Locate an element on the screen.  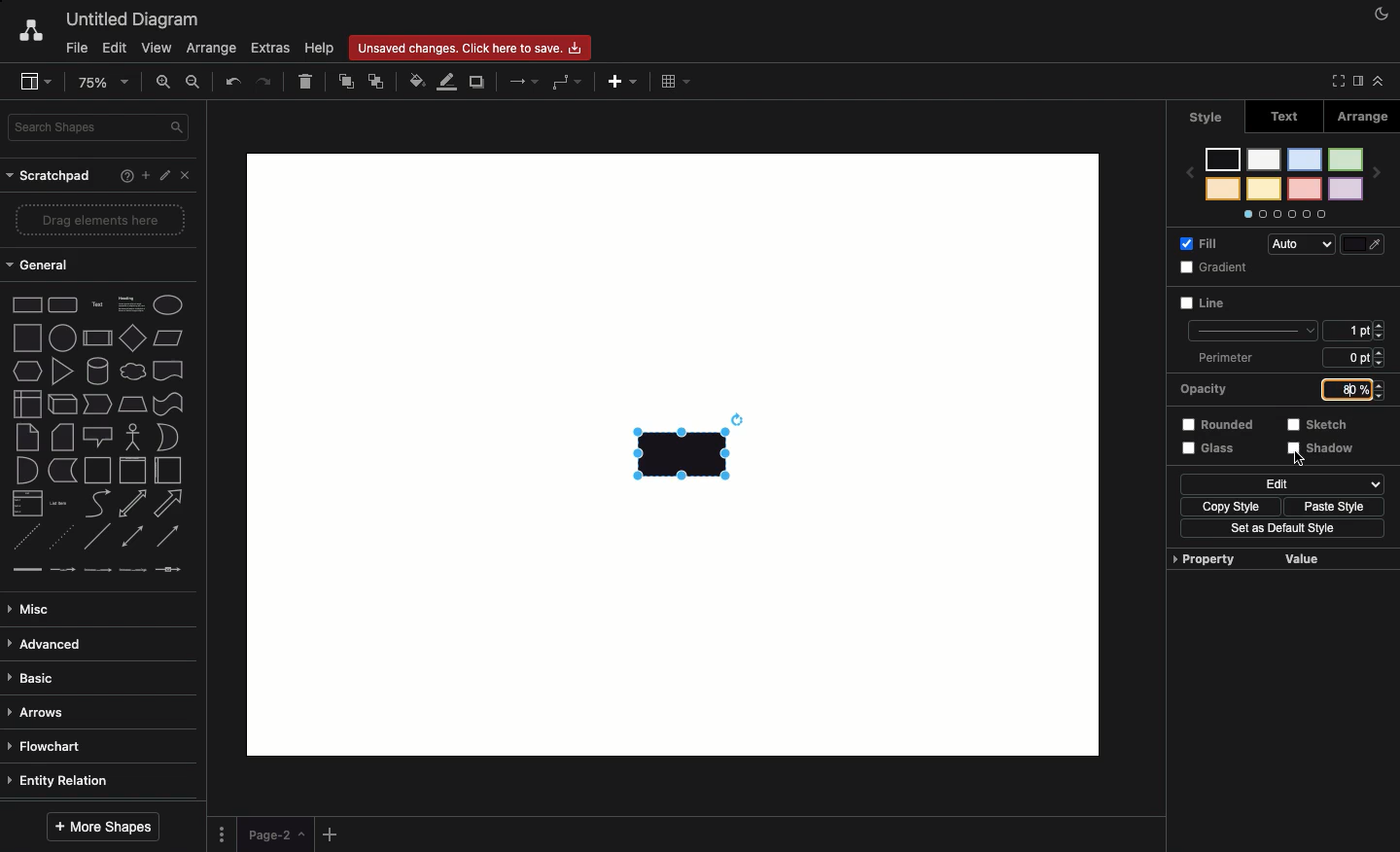
Undo is located at coordinates (233, 83).